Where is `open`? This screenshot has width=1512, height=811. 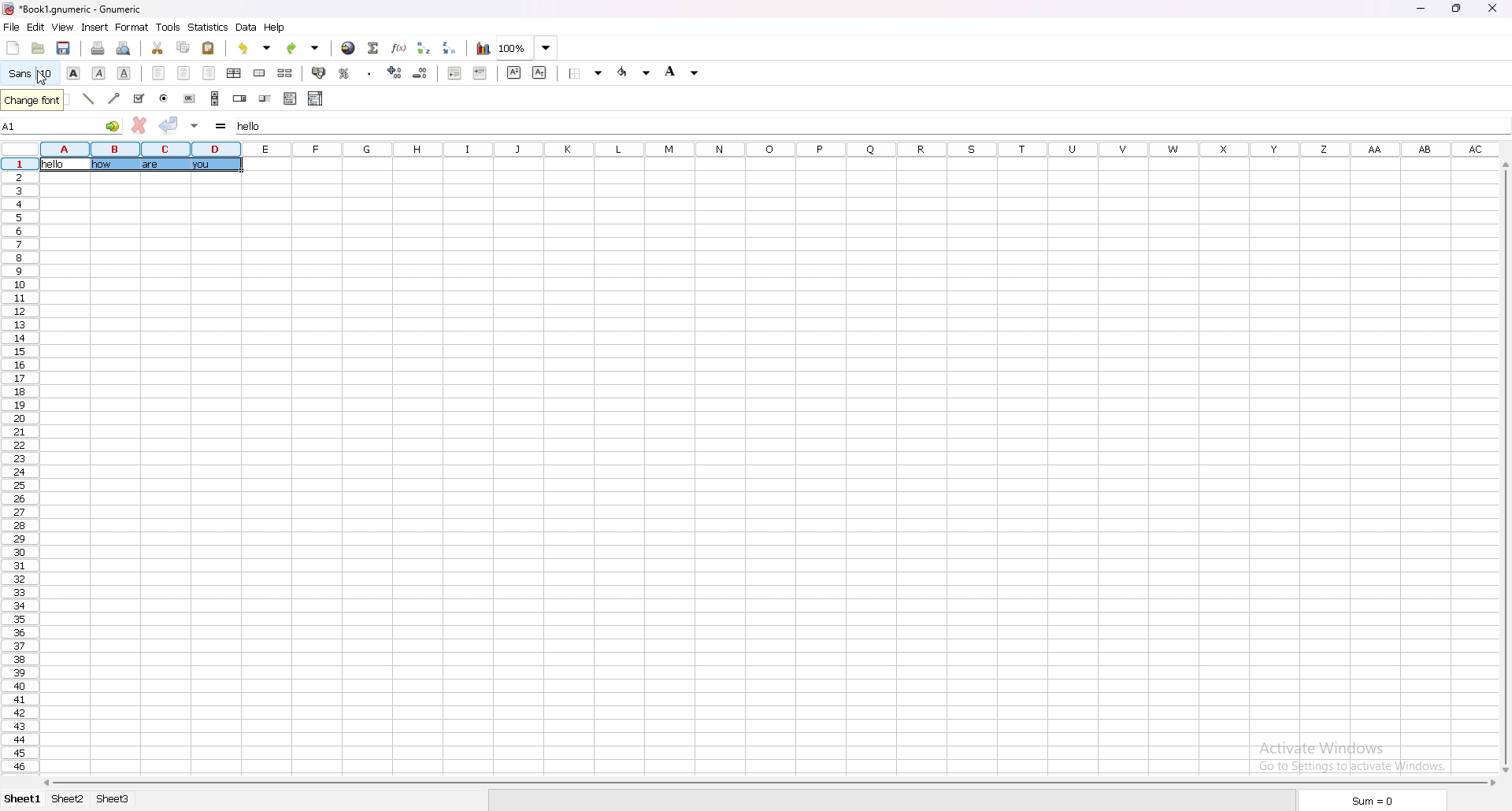
open is located at coordinates (38, 47).